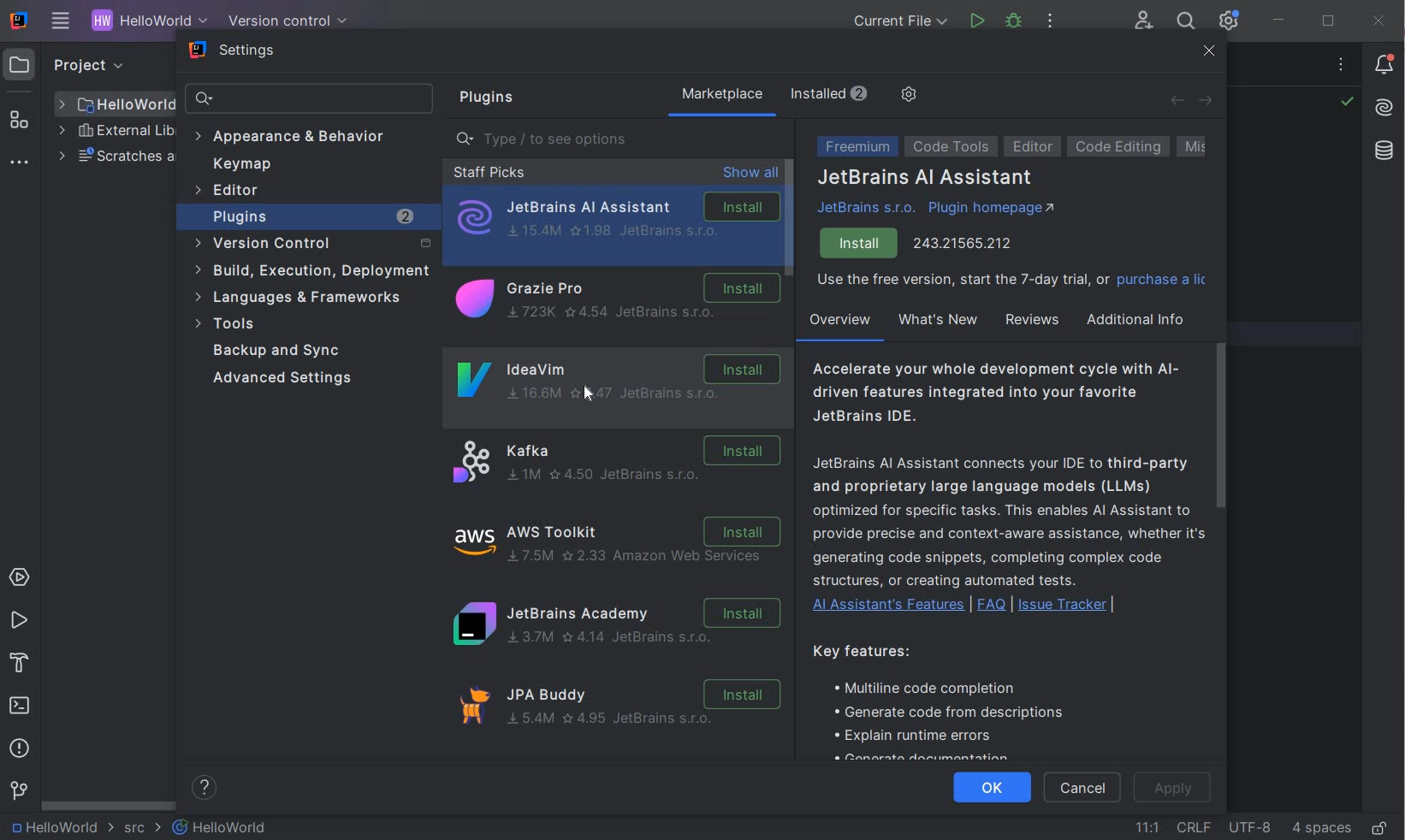 This screenshot has width=1405, height=840. Describe the element at coordinates (284, 21) in the screenshot. I see `VERSION CONTROL` at that location.